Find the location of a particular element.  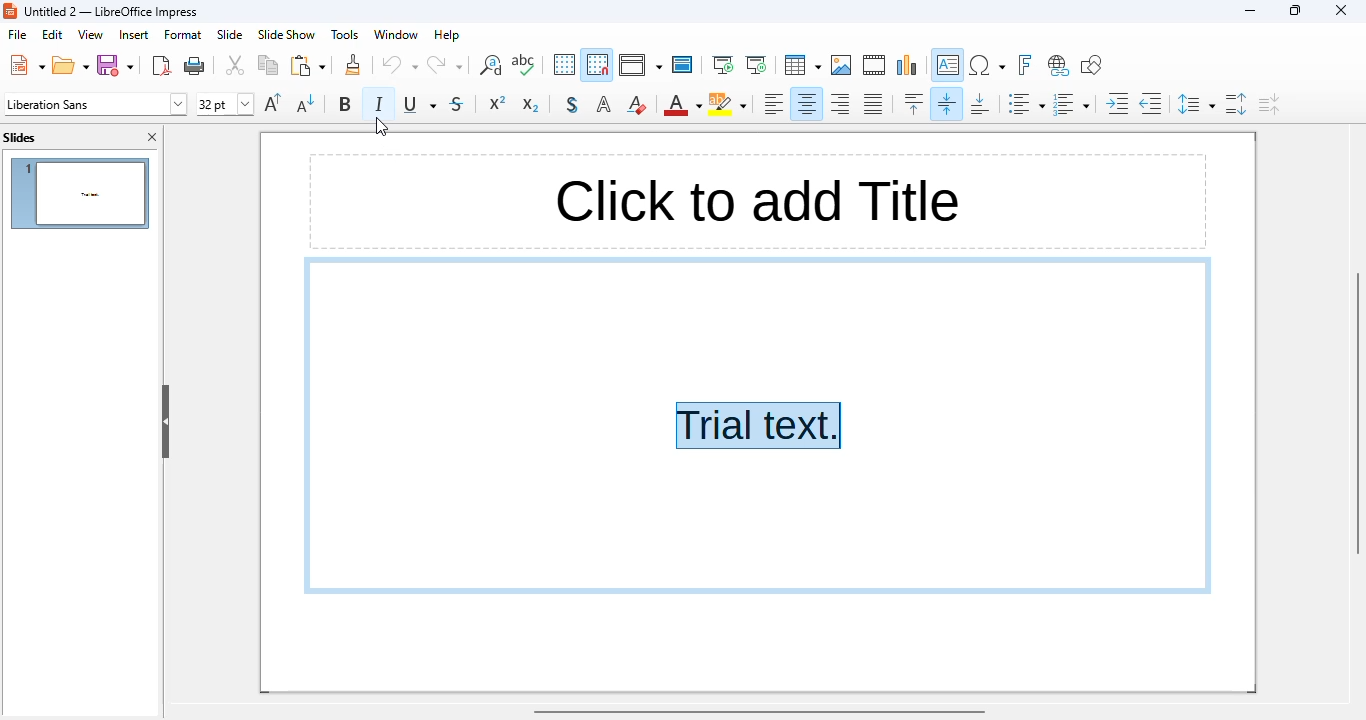

snap to grid is located at coordinates (598, 65).